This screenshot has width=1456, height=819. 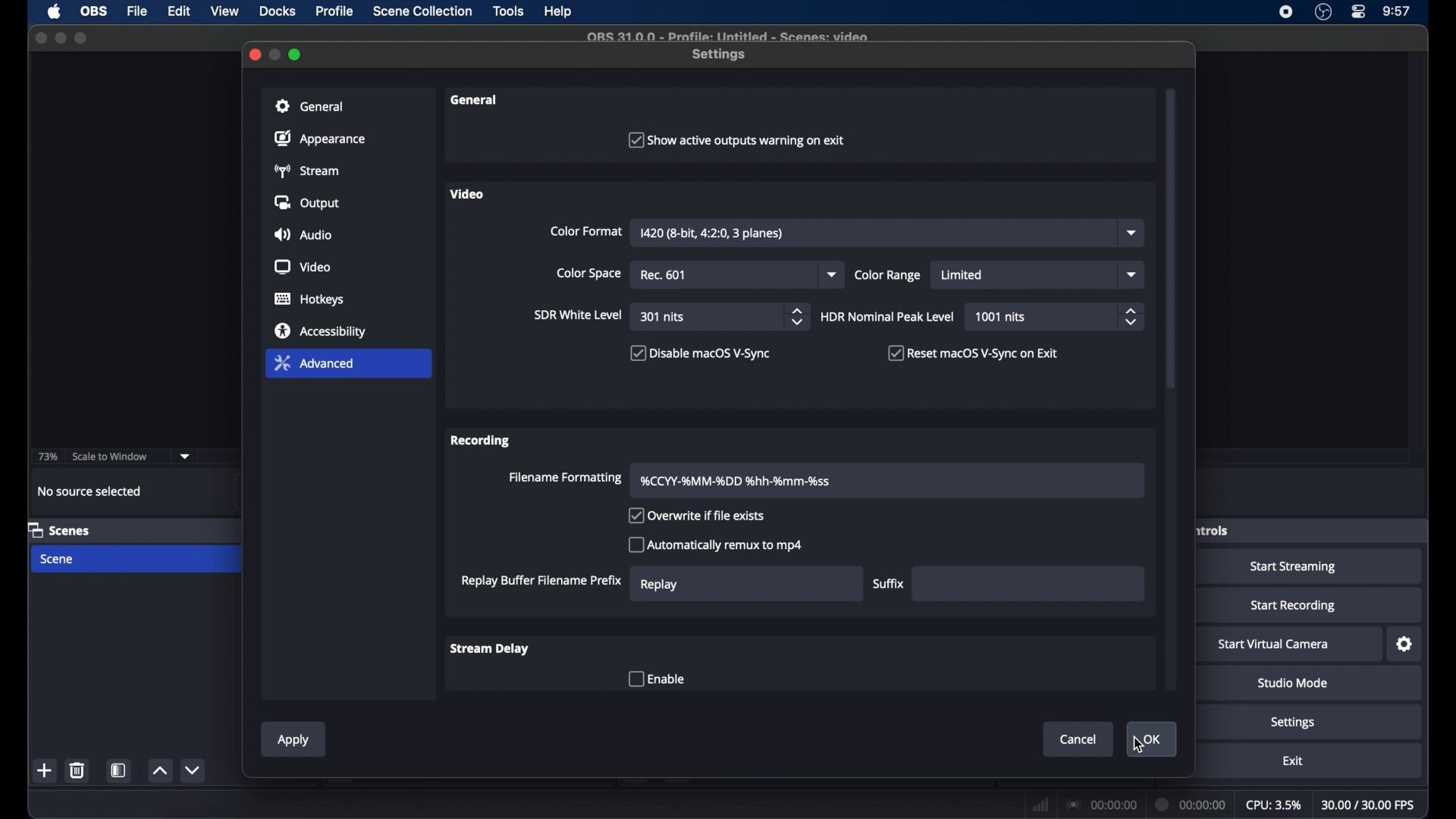 I want to click on HDR nominal peak level, so click(x=888, y=317).